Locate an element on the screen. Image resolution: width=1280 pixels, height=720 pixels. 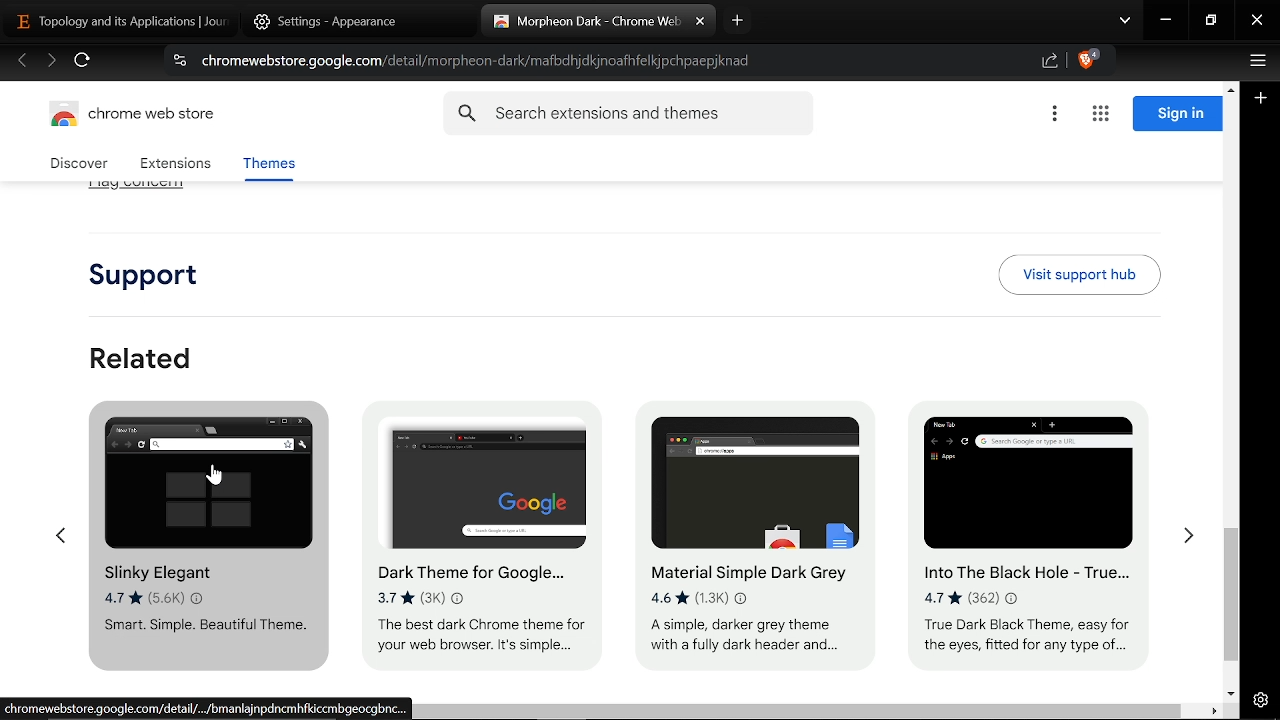
Sign in is located at coordinates (1177, 114).